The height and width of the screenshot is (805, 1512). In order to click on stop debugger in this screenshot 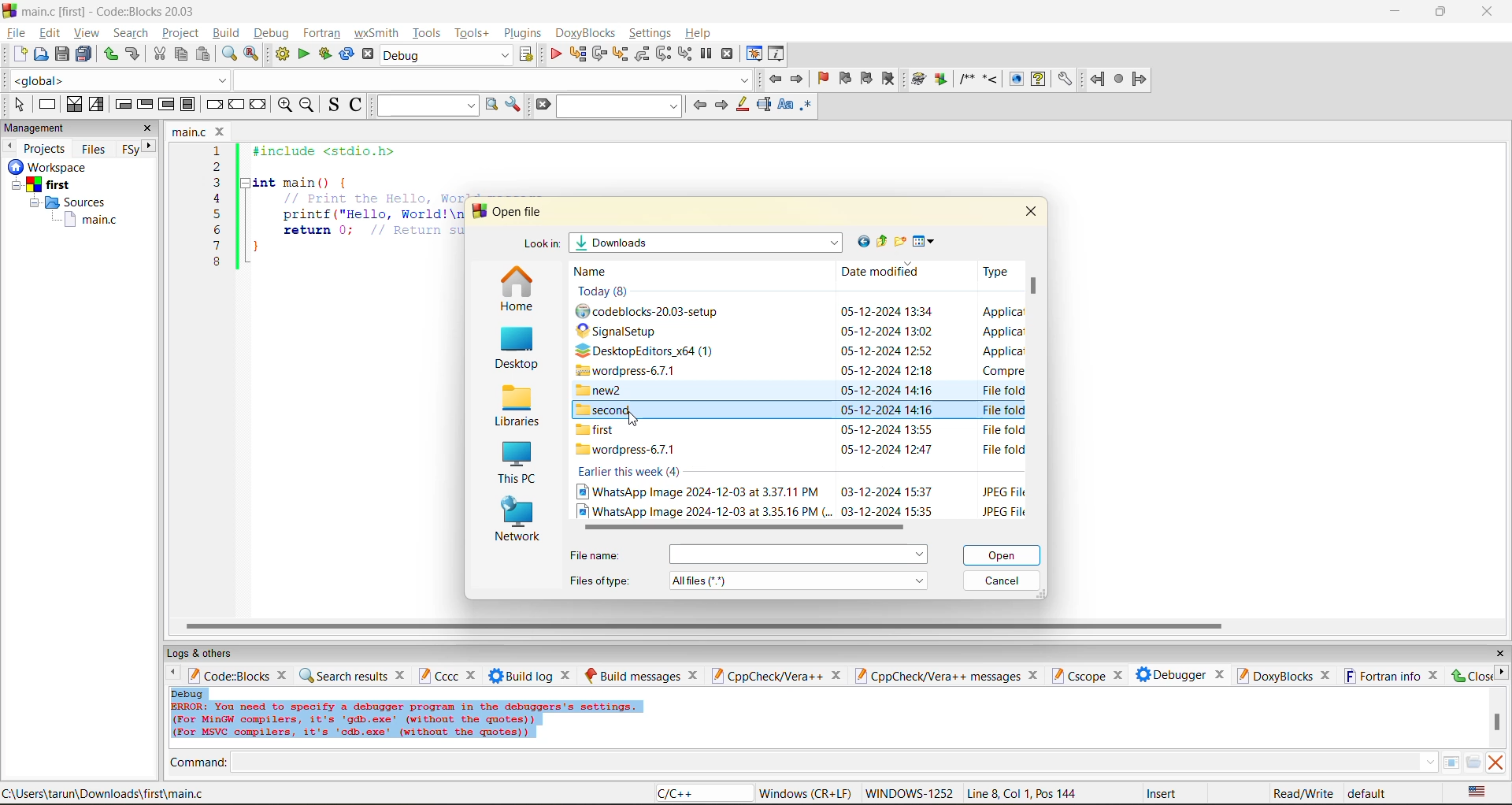, I will do `click(728, 54)`.